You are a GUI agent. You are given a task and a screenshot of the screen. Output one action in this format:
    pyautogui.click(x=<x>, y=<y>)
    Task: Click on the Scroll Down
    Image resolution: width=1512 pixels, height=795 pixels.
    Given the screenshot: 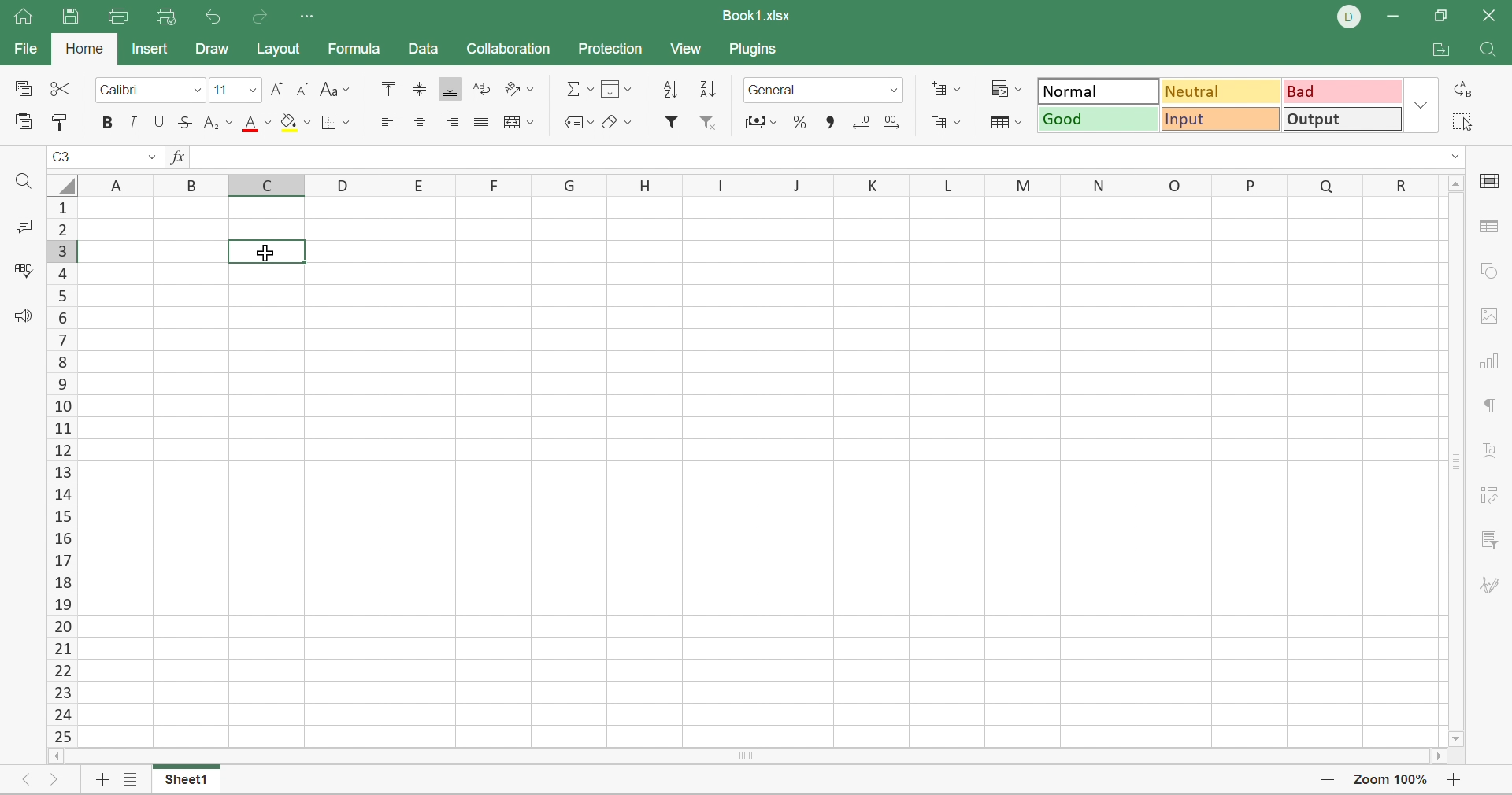 What is the action you would take?
    pyautogui.click(x=1455, y=740)
    